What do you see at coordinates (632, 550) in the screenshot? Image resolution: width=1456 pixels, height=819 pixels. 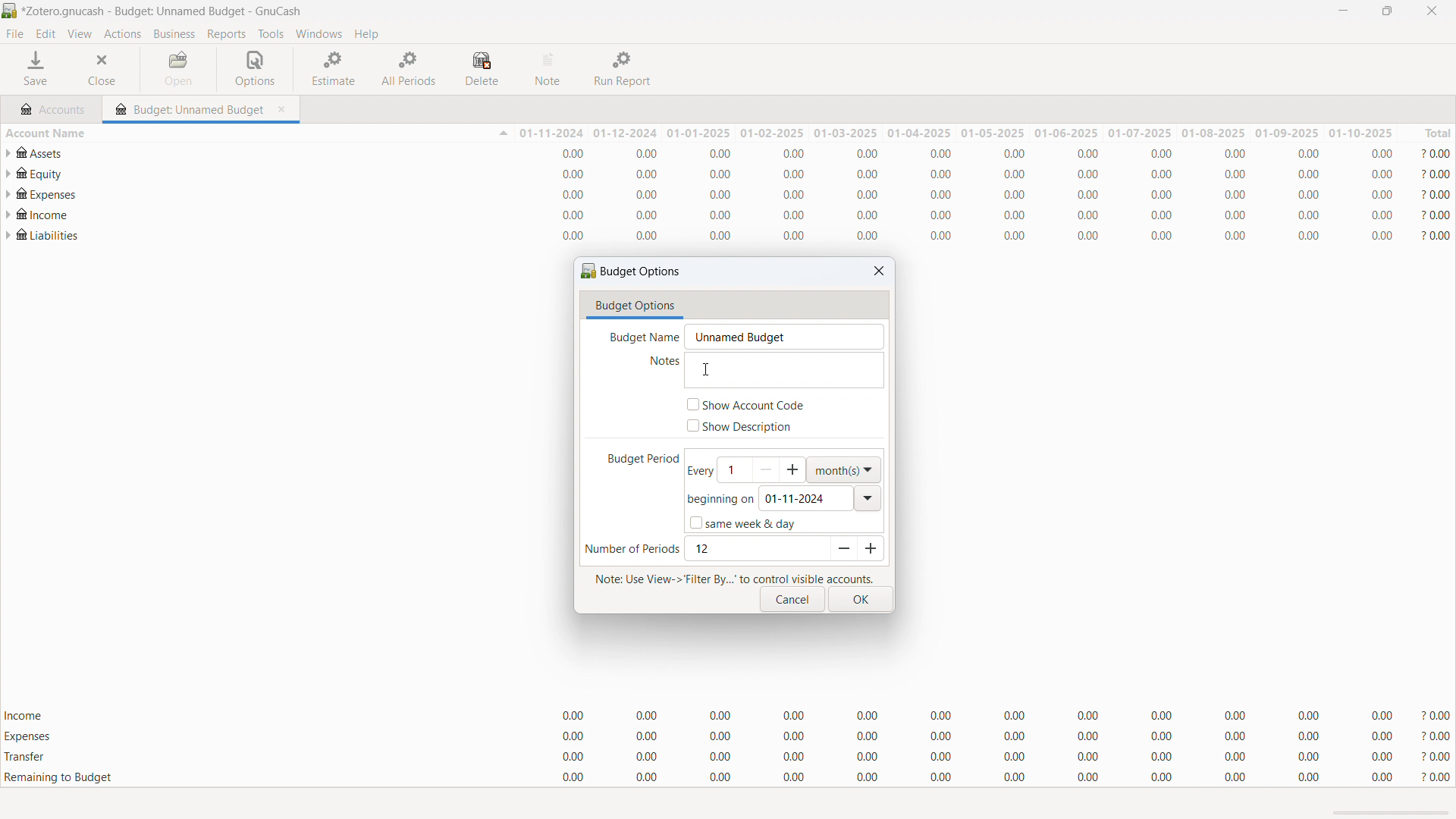 I see `number of periods` at bounding box center [632, 550].